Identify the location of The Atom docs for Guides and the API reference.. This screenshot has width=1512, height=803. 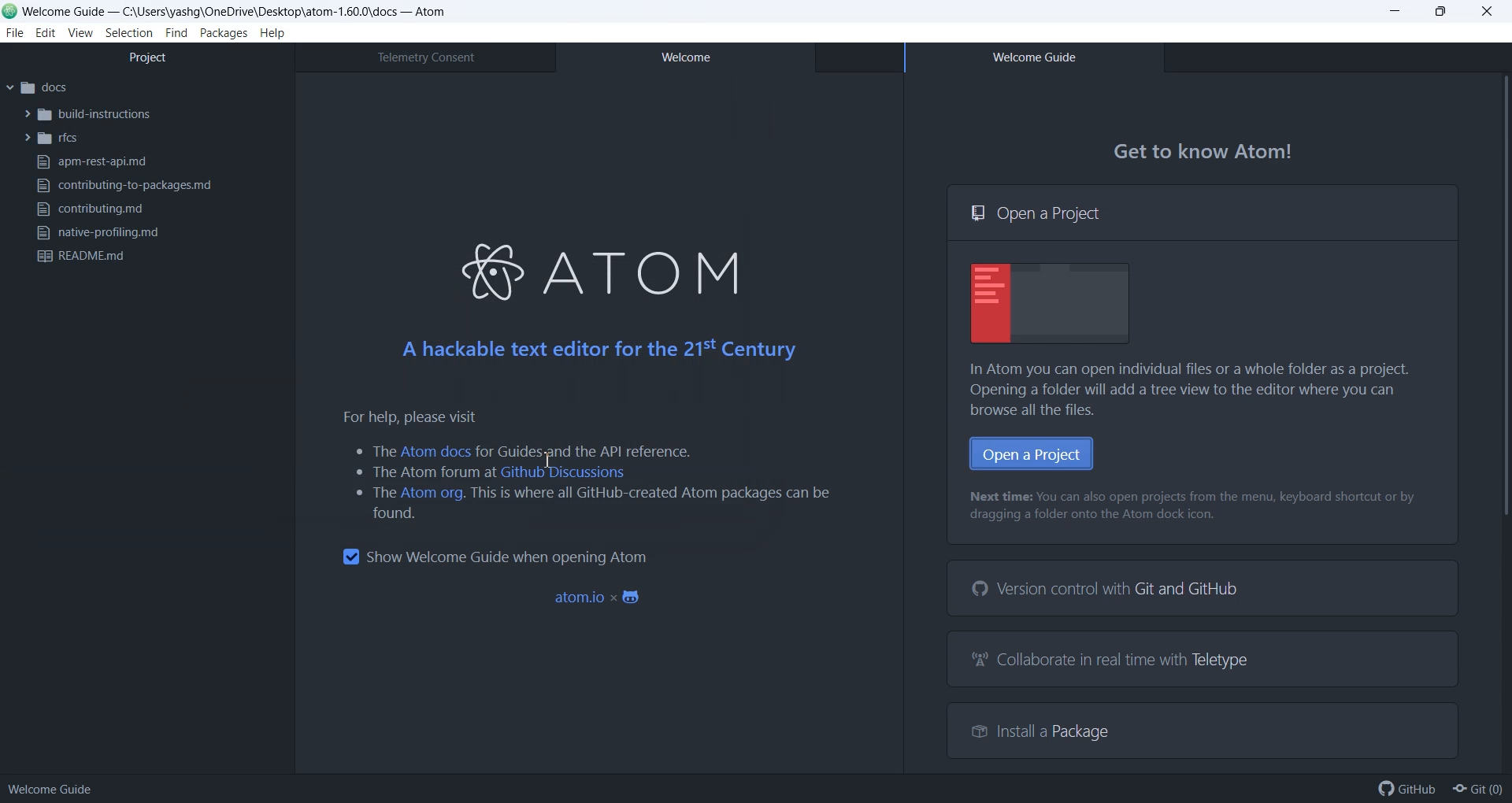
(522, 450).